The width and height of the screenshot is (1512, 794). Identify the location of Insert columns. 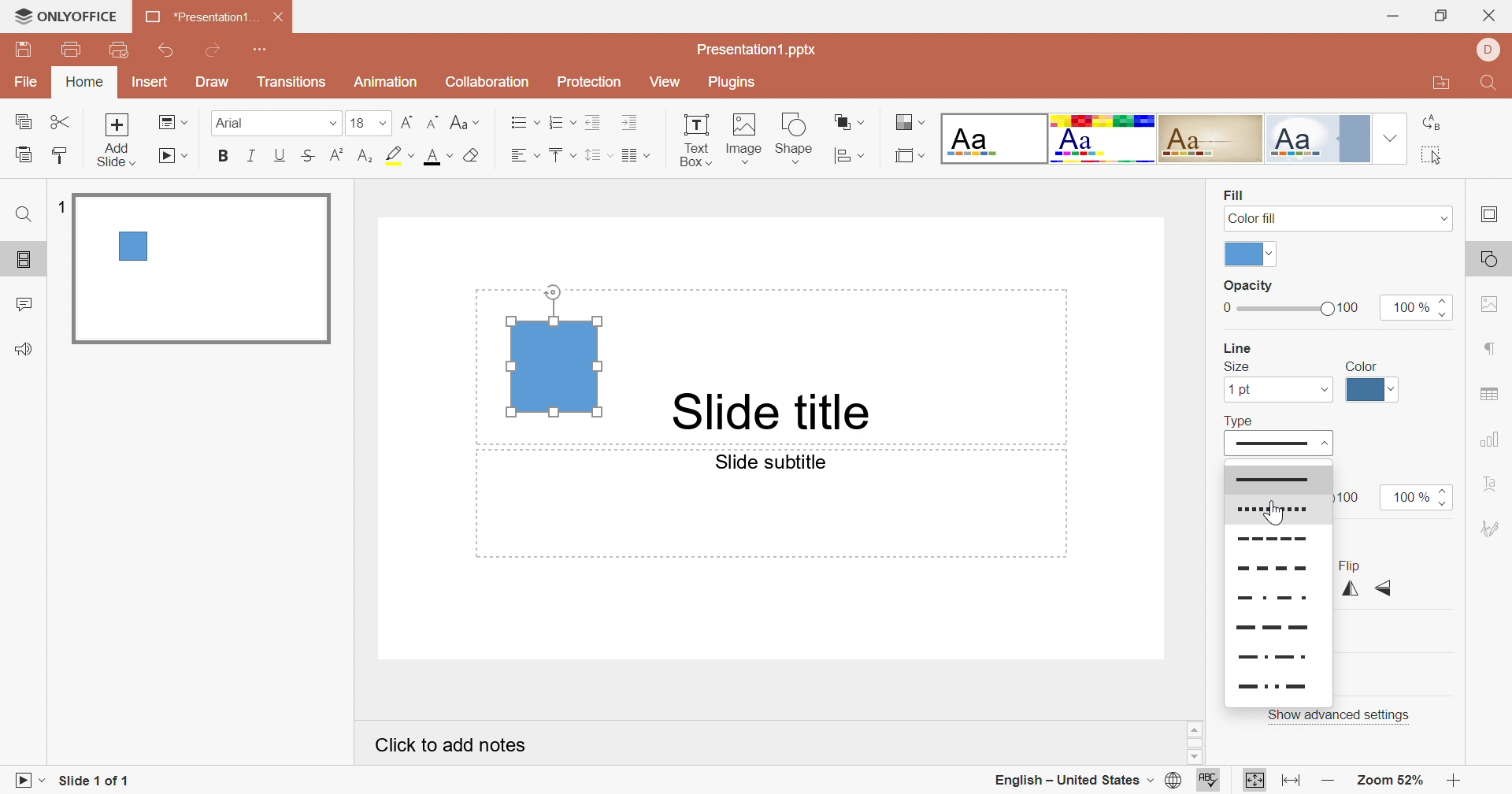
(636, 156).